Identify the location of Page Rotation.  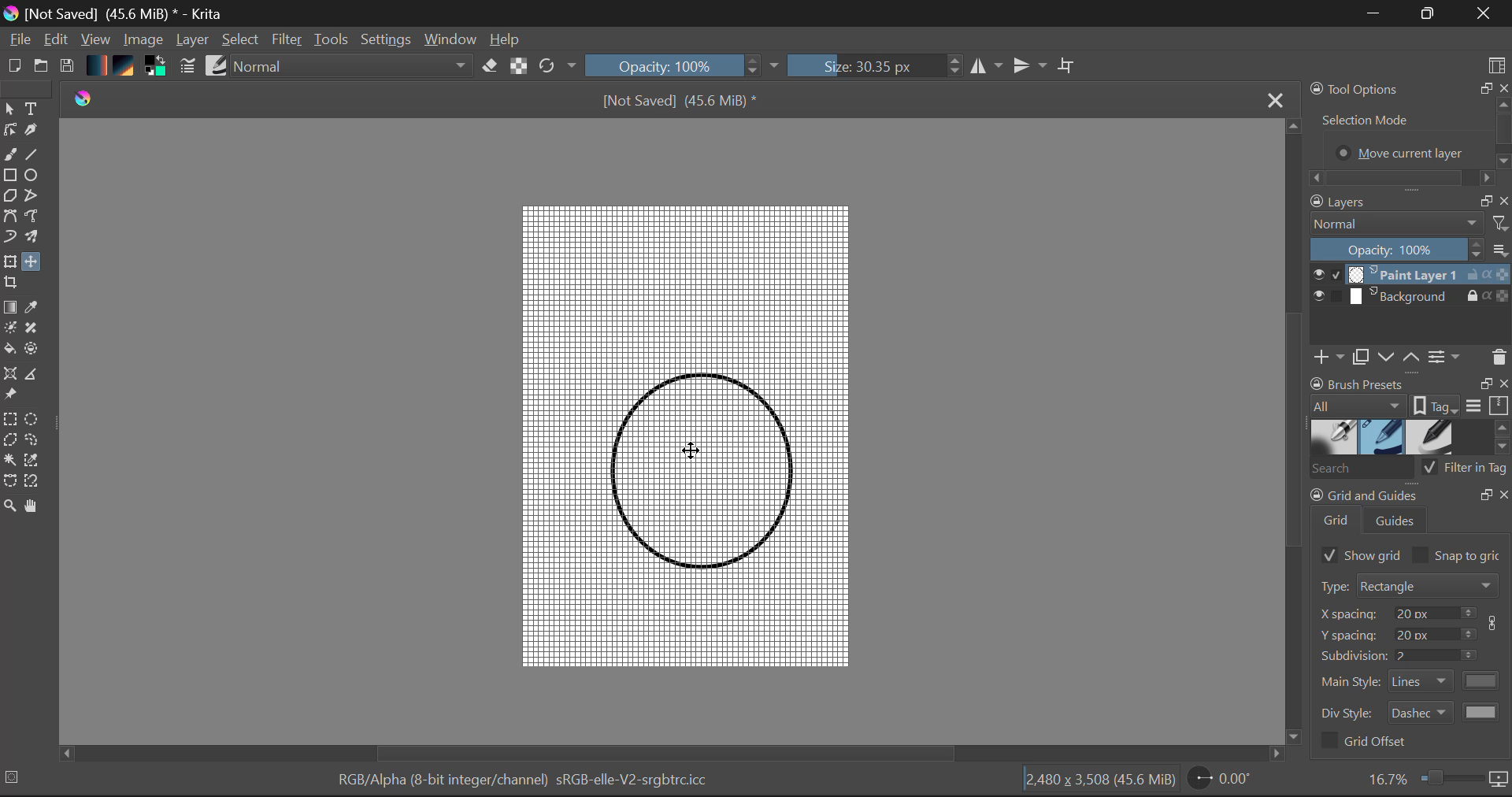
(1225, 781).